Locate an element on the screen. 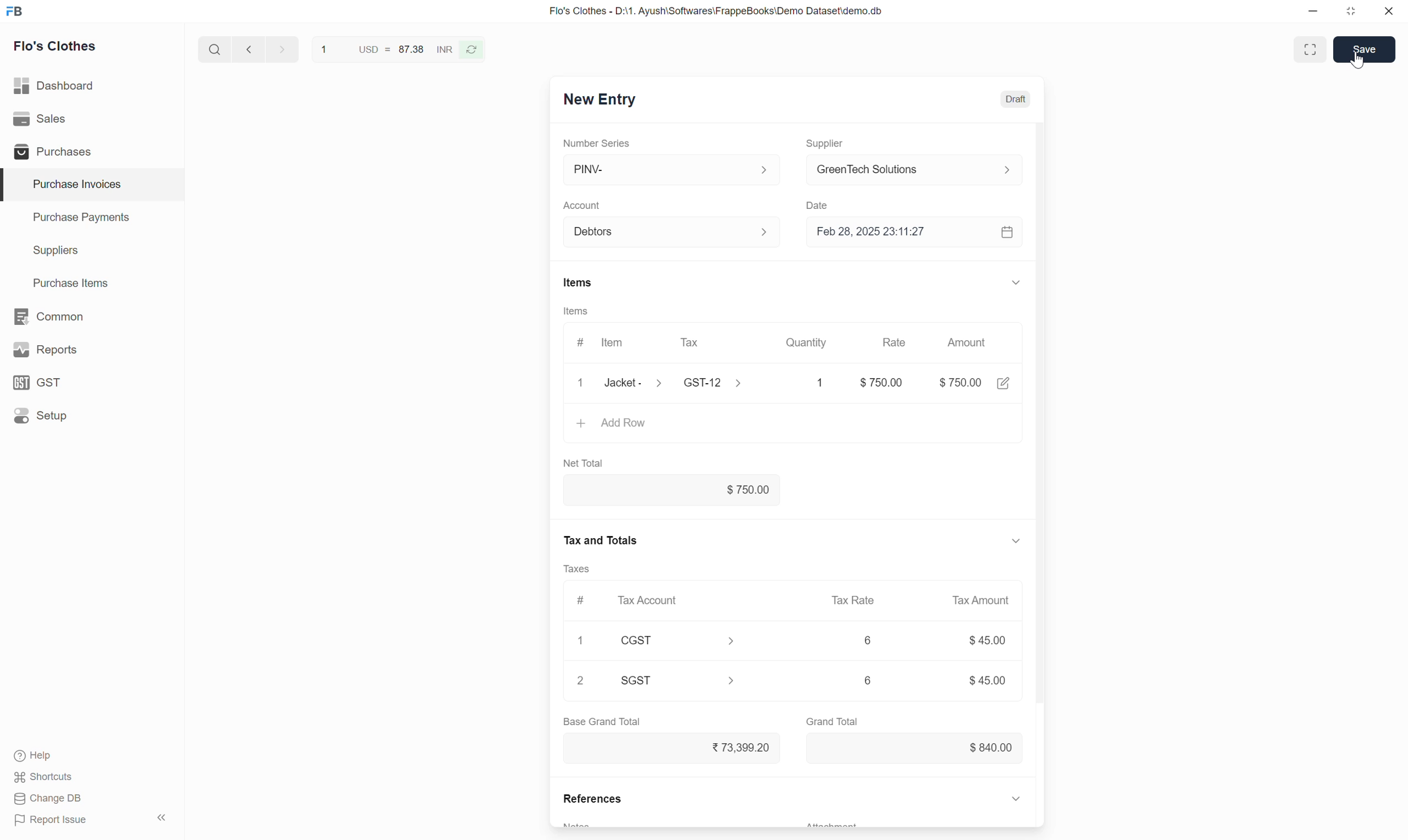 This screenshot has width=1408, height=840. Sales is located at coordinates (91, 119).